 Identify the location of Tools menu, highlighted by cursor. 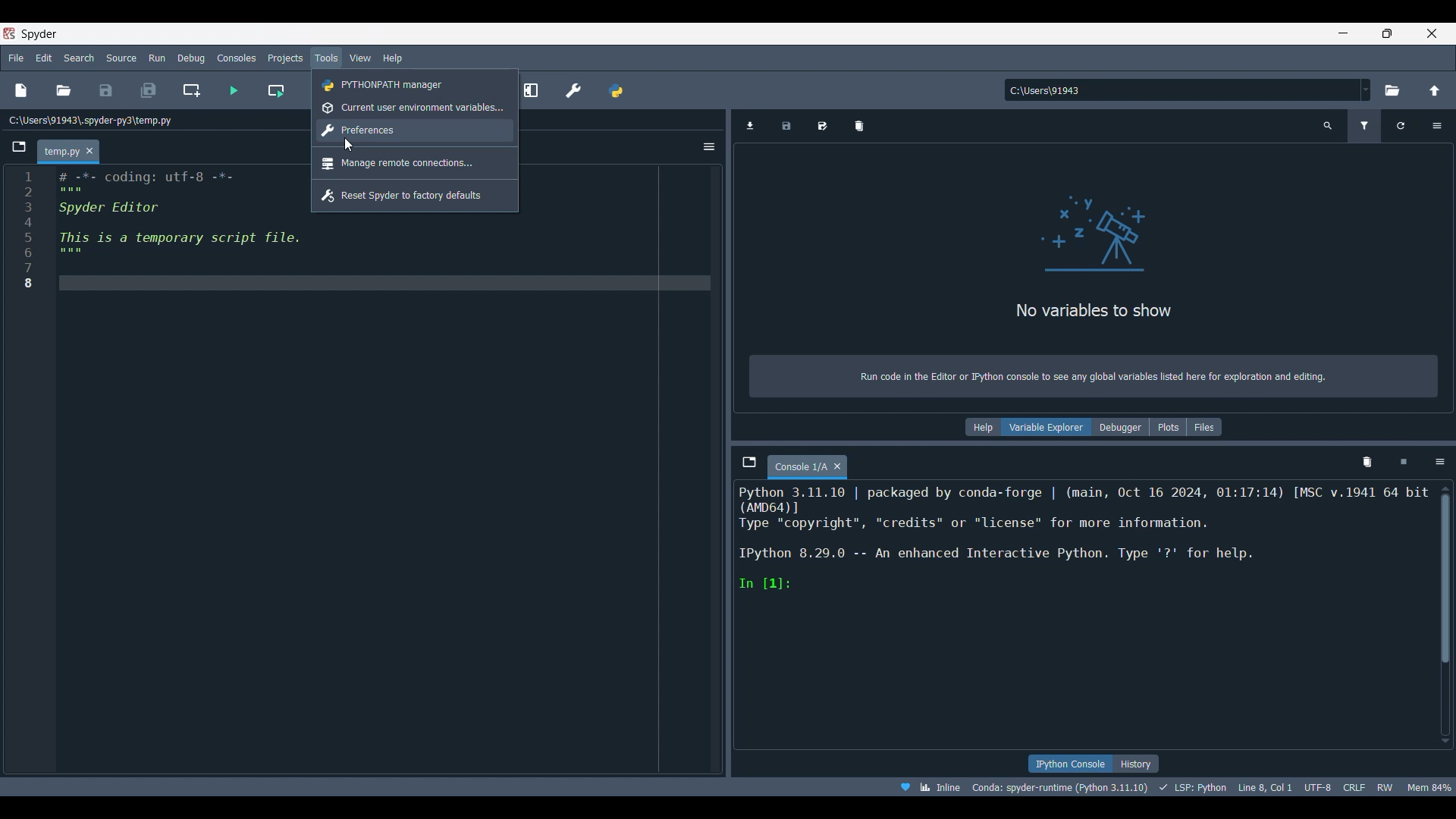
(325, 57).